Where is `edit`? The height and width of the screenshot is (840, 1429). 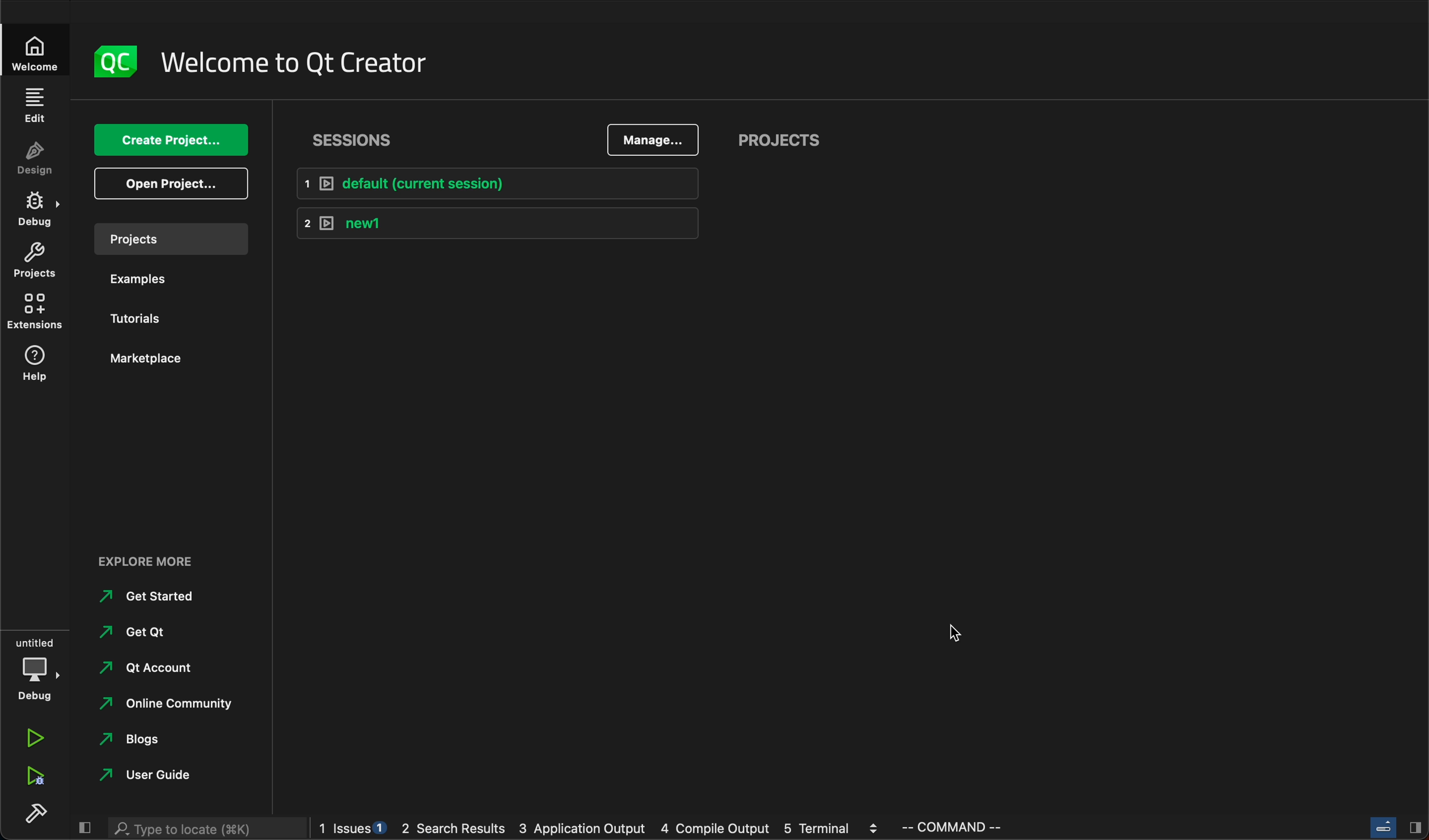
edit is located at coordinates (38, 108).